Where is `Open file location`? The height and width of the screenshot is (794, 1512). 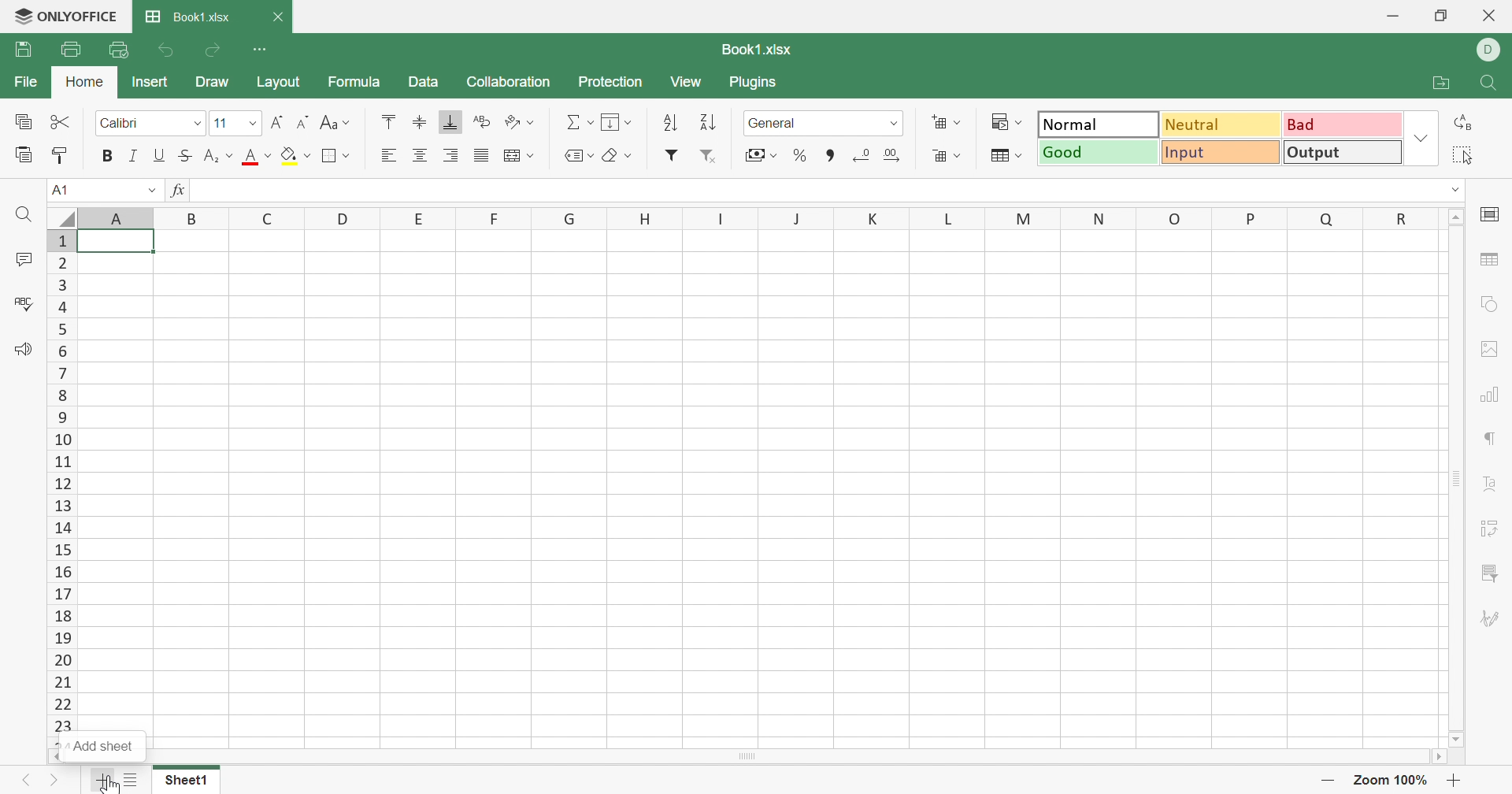 Open file location is located at coordinates (1442, 83).